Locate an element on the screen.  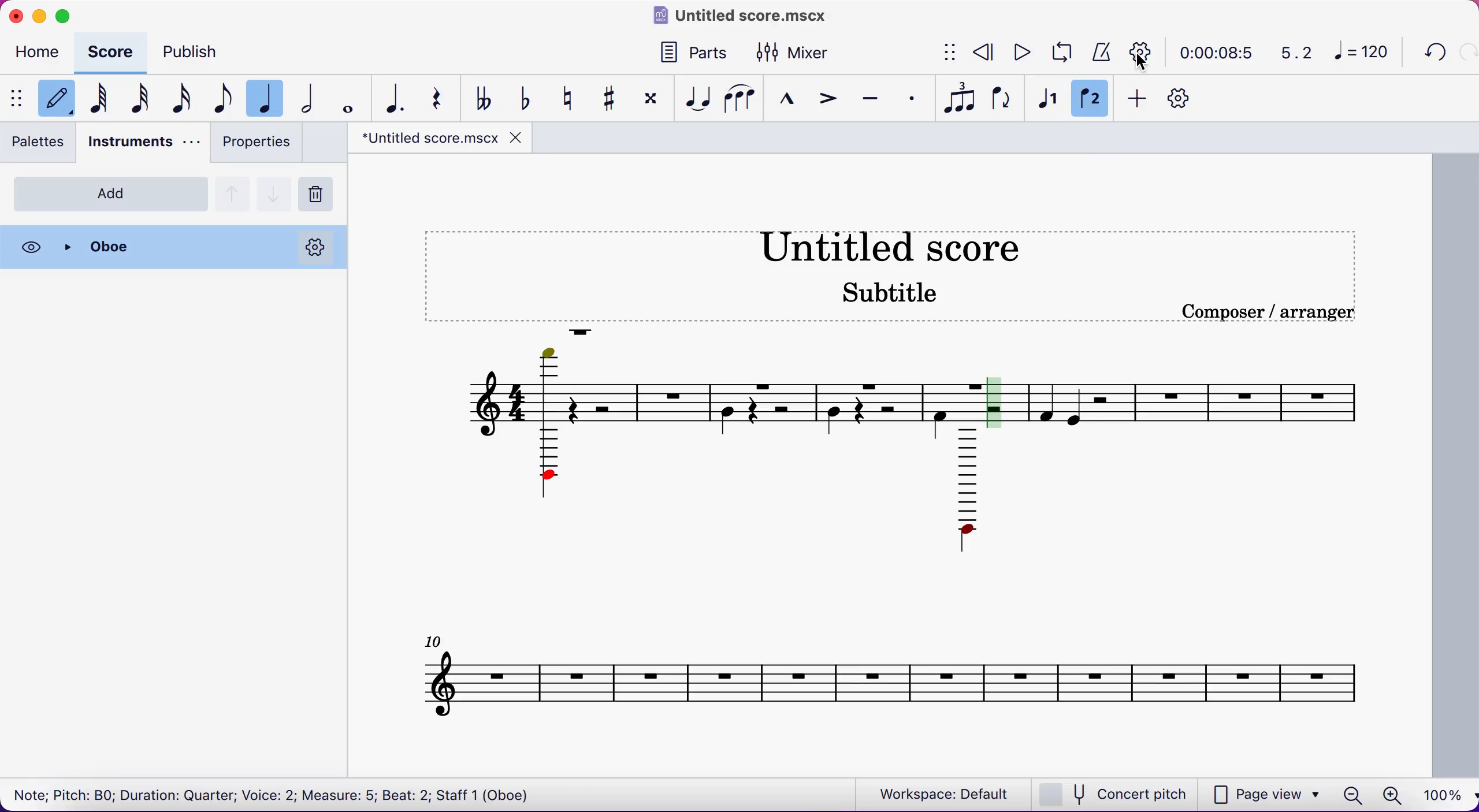
Close is located at coordinates (169, 247).